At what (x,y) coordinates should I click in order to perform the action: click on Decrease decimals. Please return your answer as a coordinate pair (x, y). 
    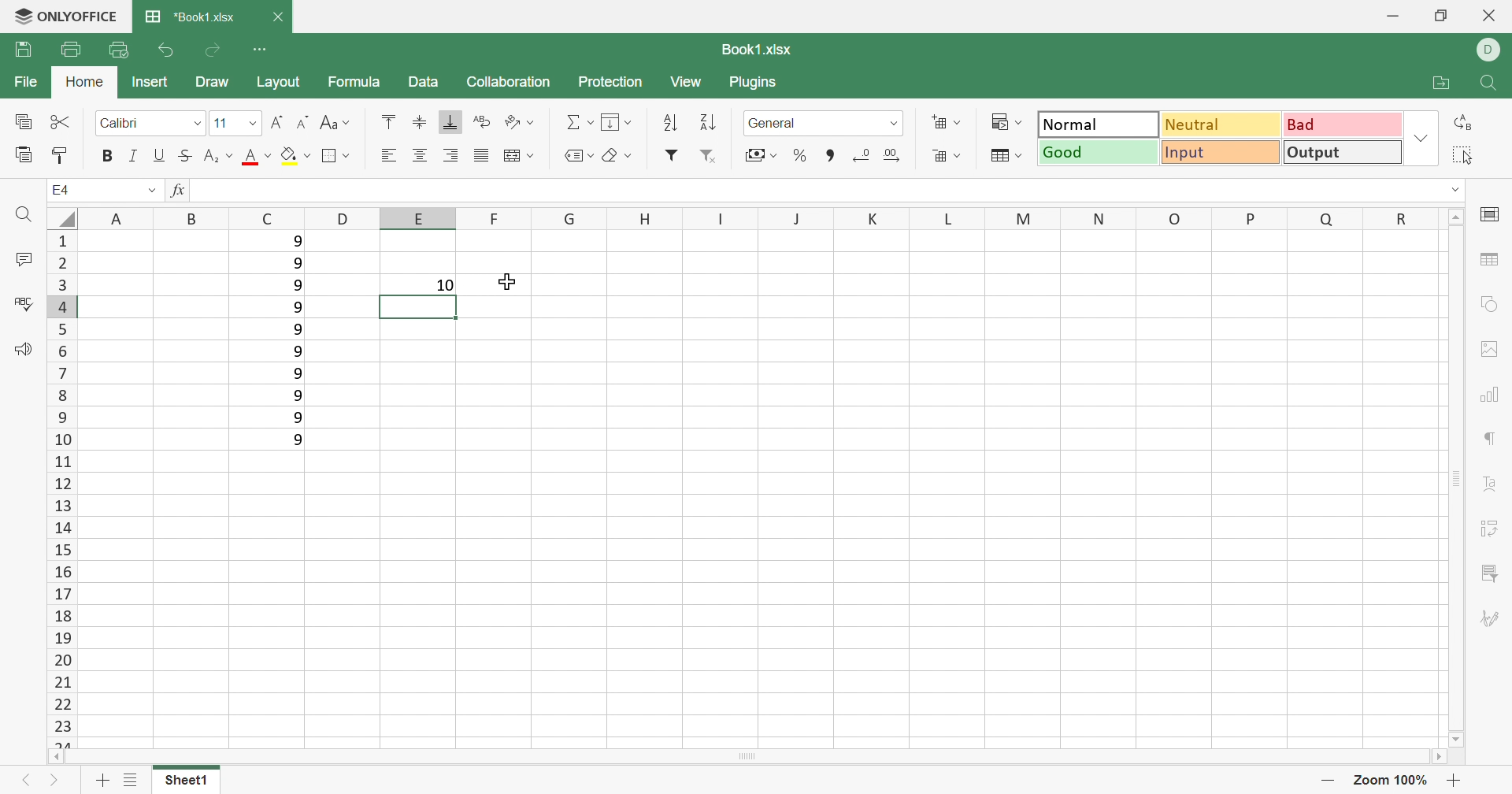
    Looking at the image, I should click on (862, 154).